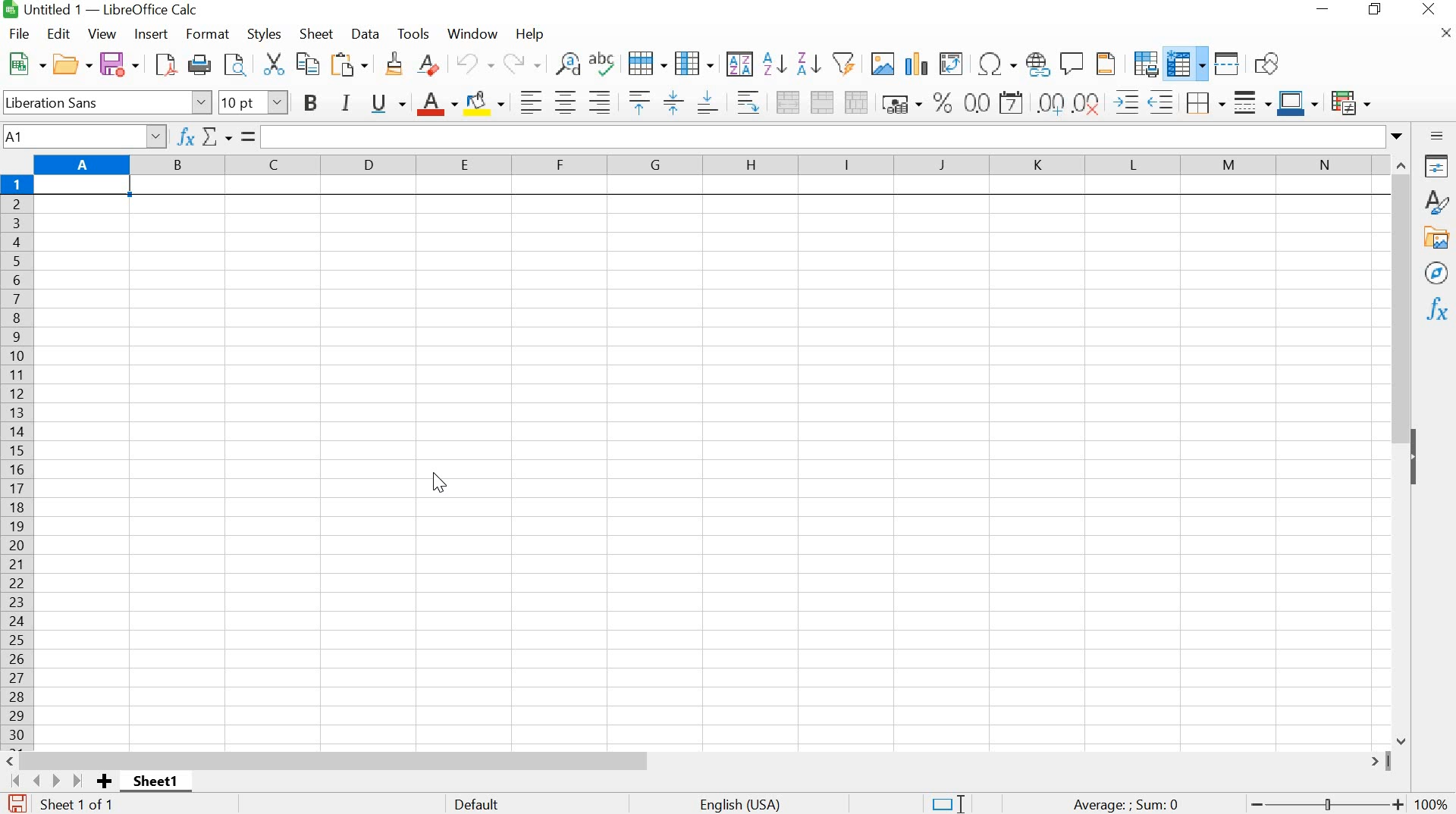  I want to click on CLOSE, so click(1429, 11).